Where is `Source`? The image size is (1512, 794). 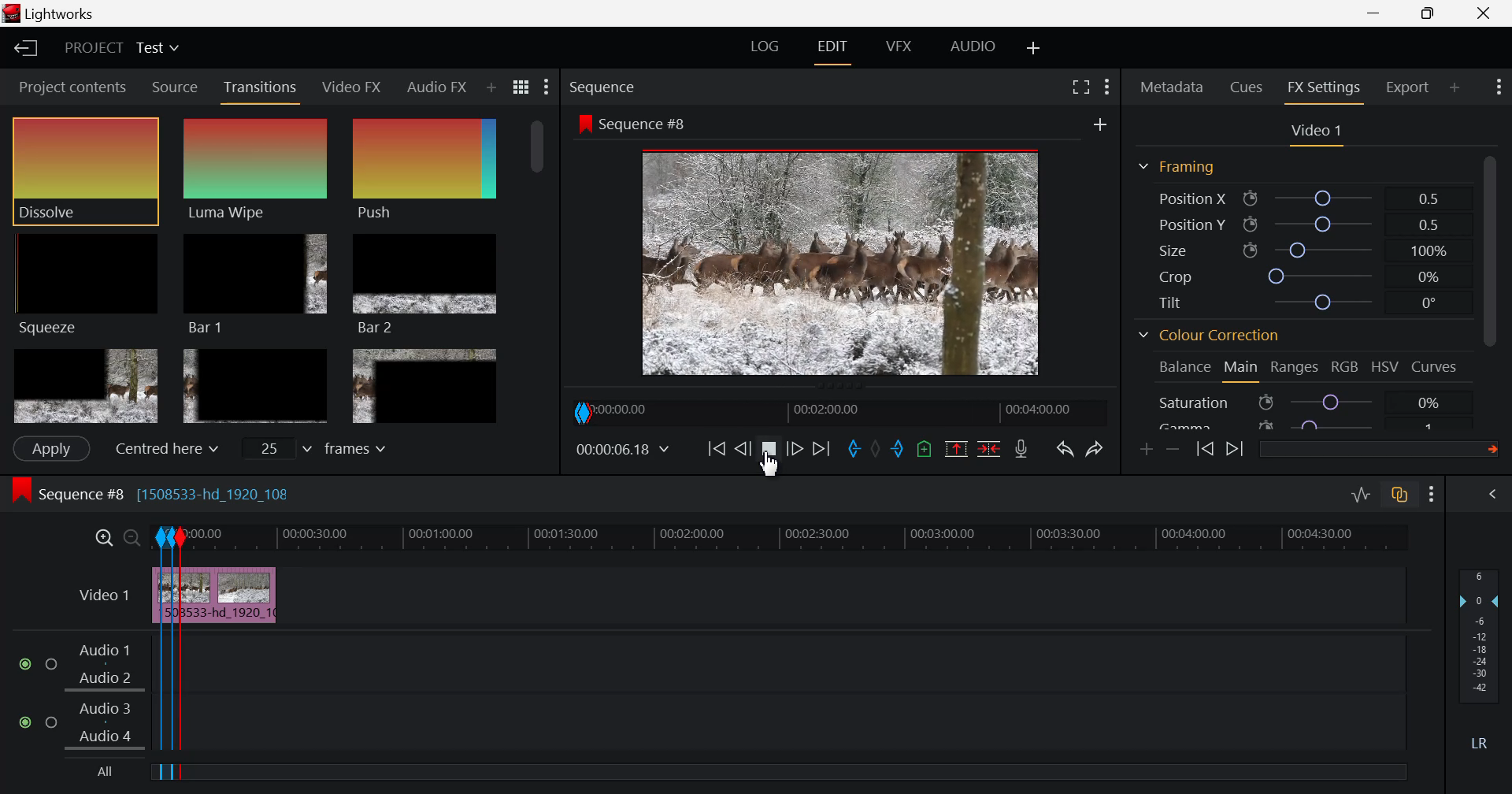
Source is located at coordinates (173, 86).